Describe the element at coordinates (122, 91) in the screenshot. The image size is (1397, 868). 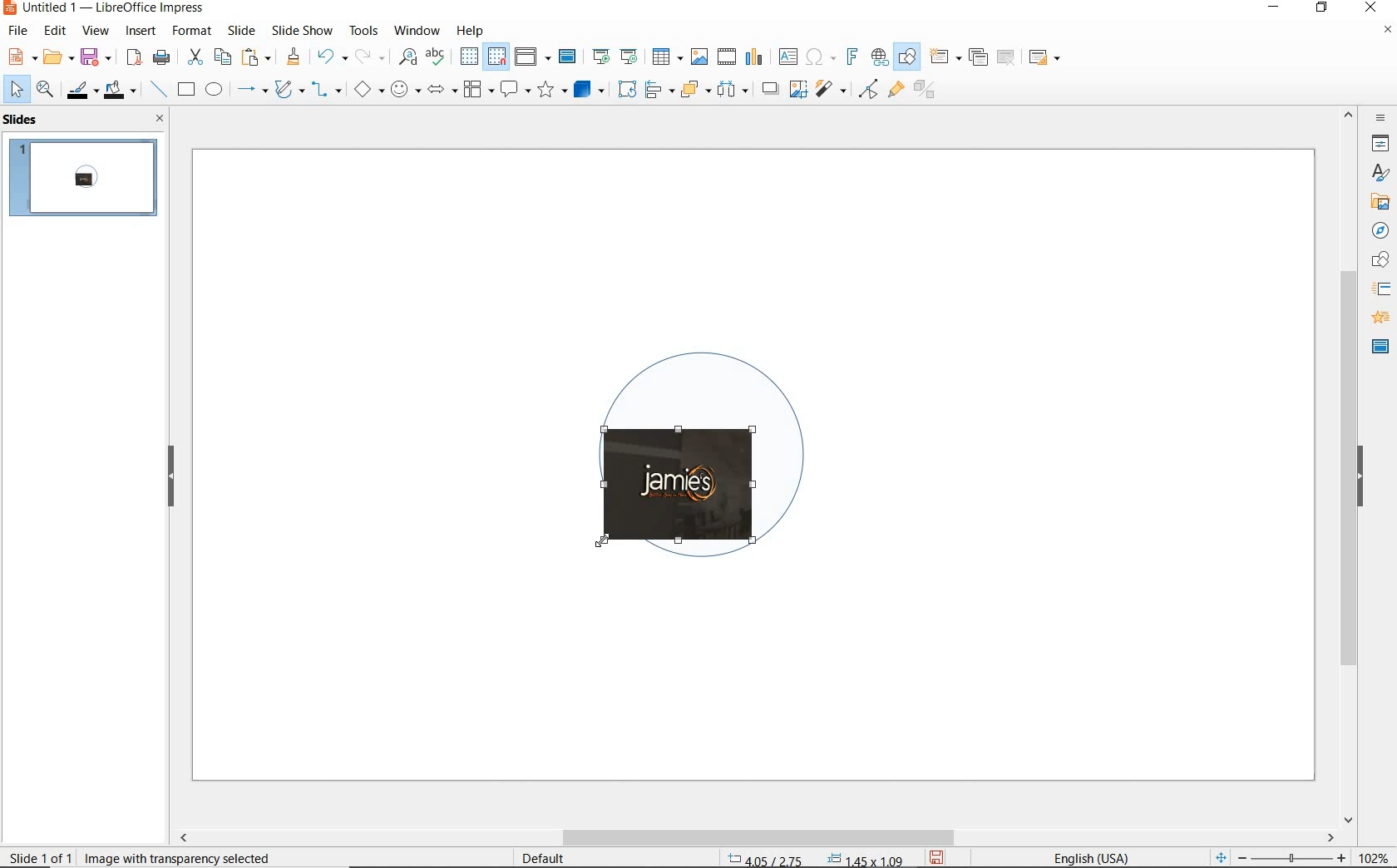
I see `fill color` at that location.